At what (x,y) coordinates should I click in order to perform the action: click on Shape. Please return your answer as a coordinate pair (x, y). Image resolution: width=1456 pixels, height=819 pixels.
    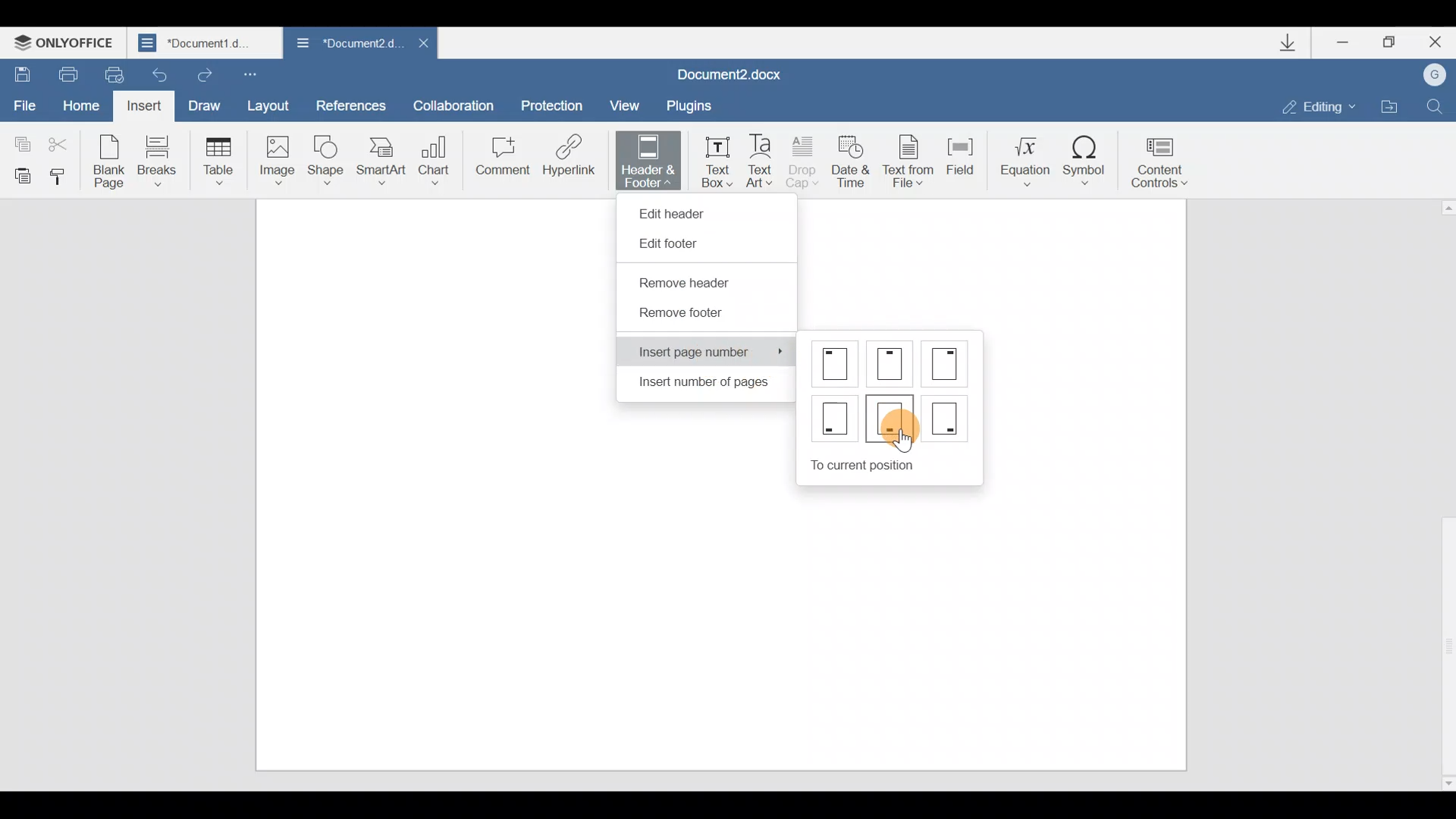
    Looking at the image, I should click on (328, 158).